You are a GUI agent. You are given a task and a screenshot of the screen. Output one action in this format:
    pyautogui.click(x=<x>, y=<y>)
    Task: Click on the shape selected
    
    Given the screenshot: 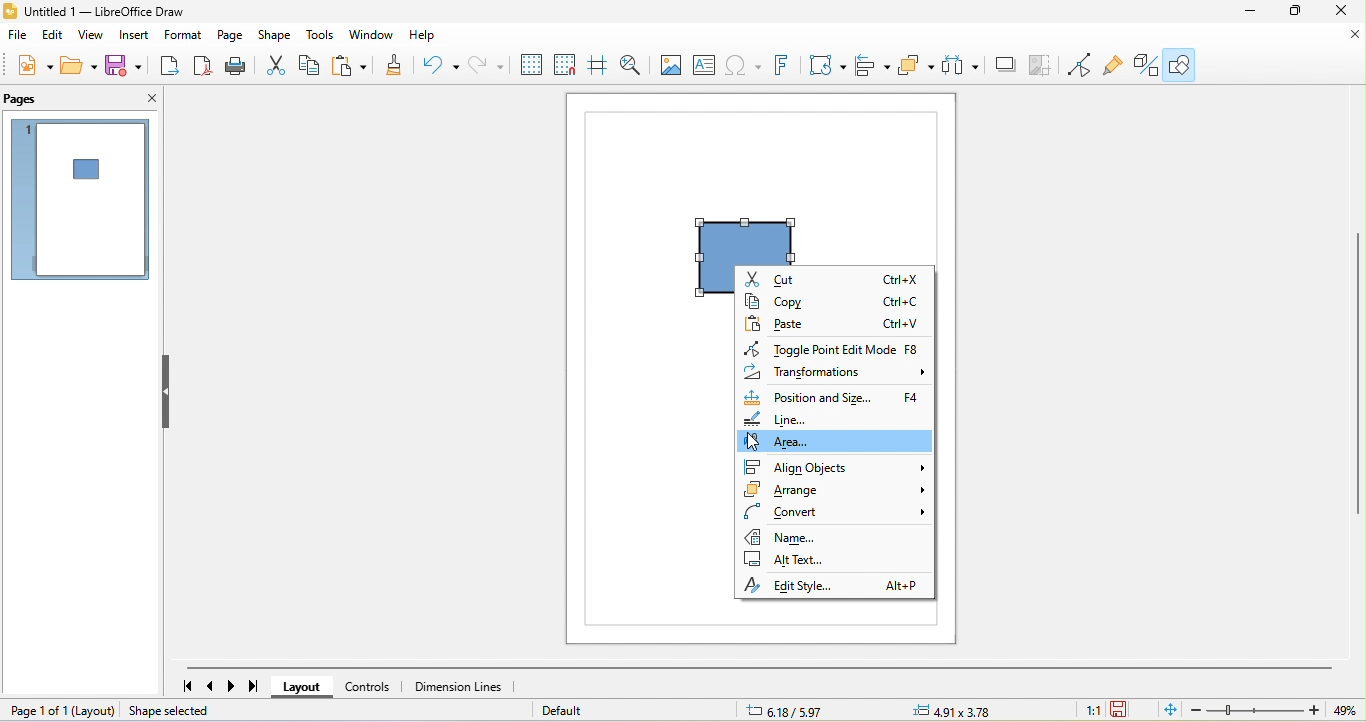 What is the action you would take?
    pyautogui.click(x=185, y=711)
    